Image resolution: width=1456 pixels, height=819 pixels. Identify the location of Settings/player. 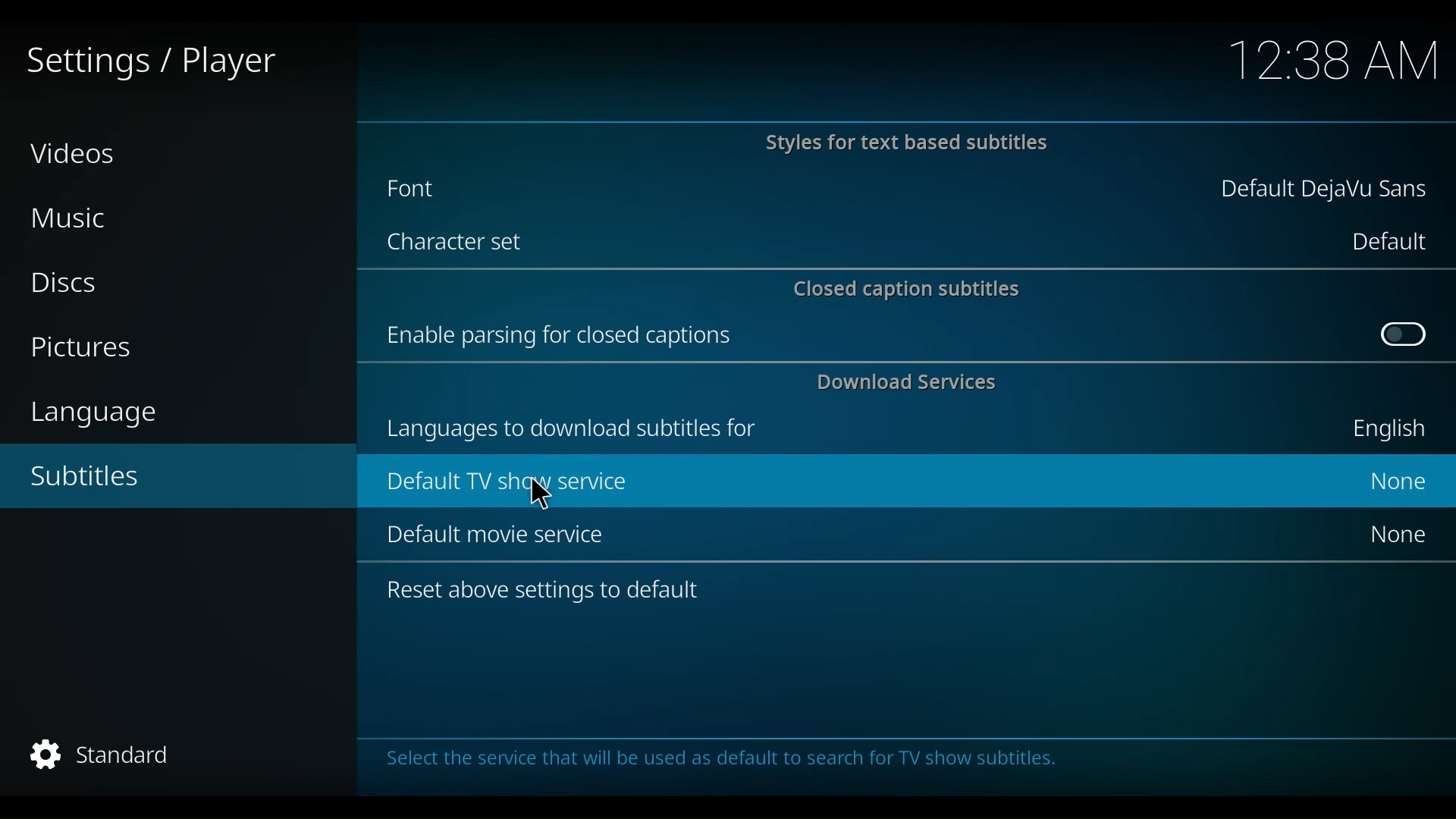
(149, 63).